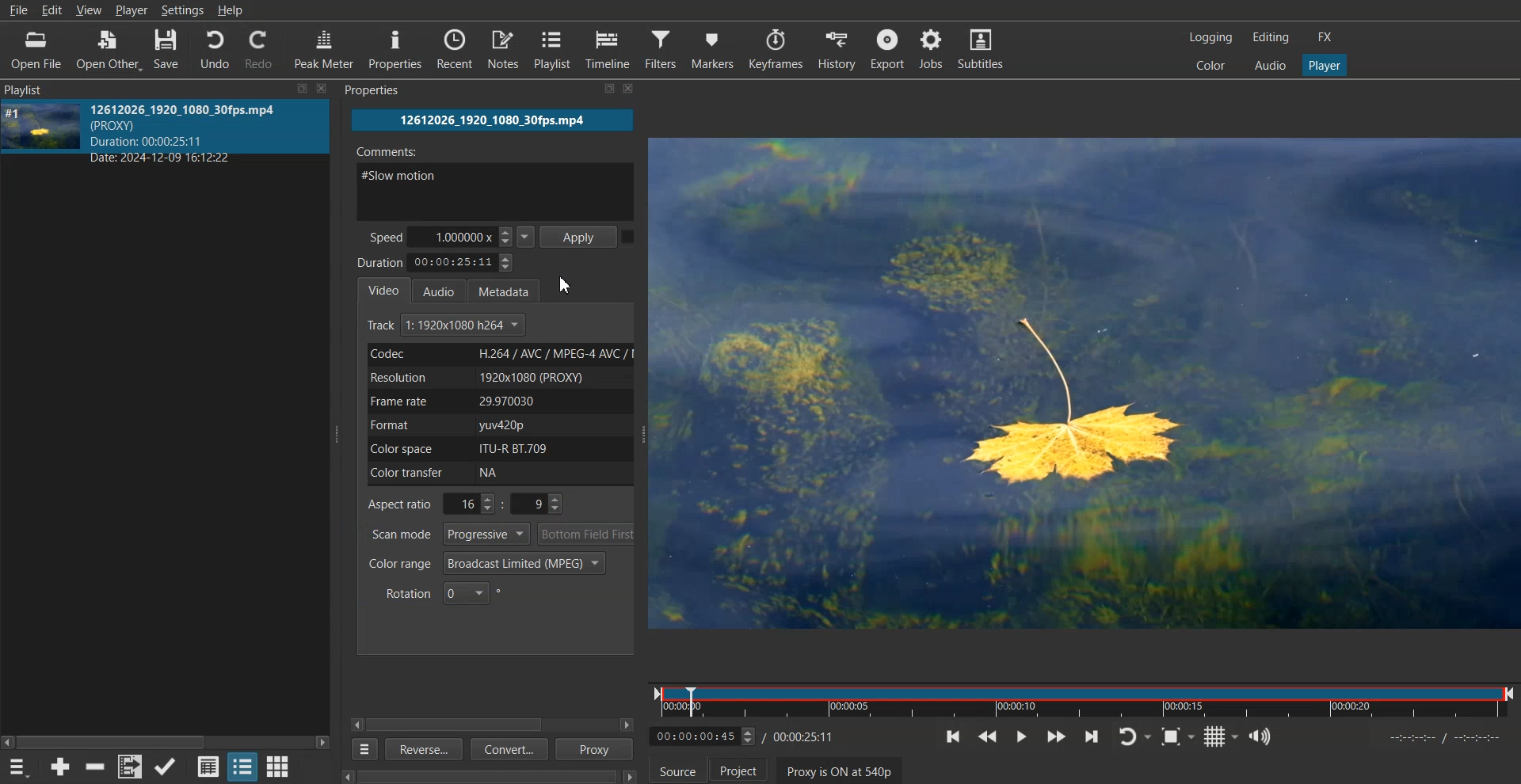  Describe the element at coordinates (493, 120) in the screenshot. I see `File Name` at that location.